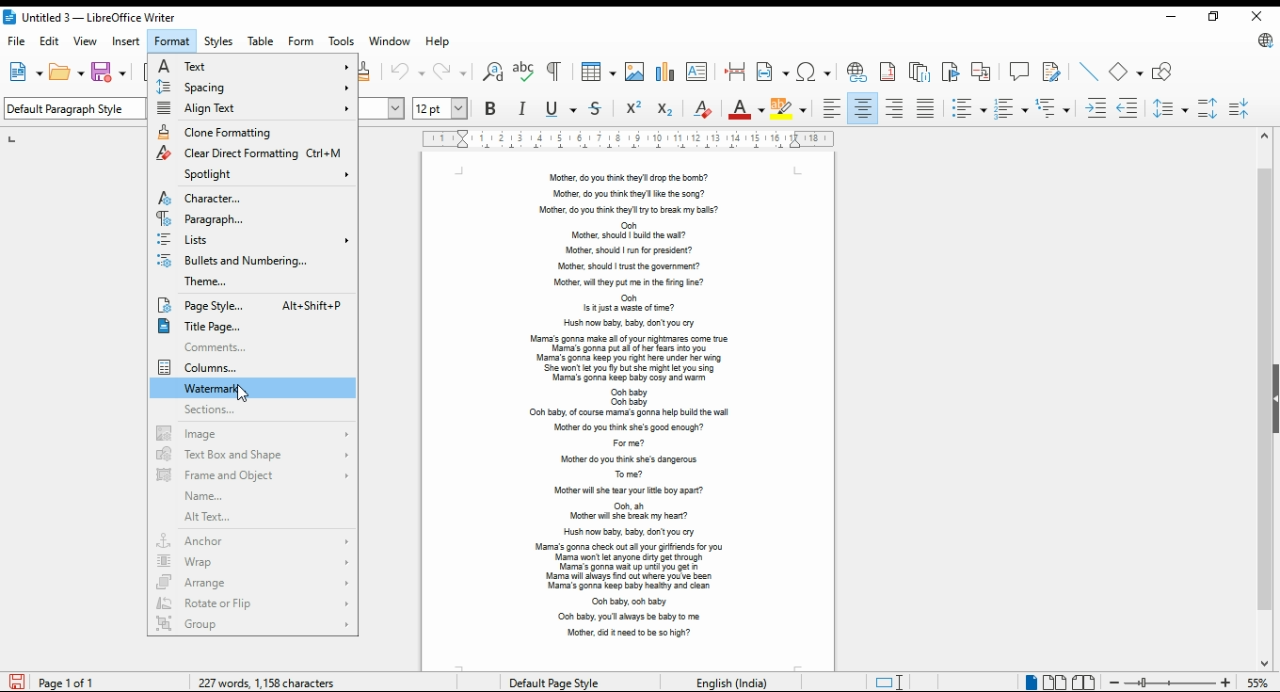 The image size is (1280, 692). I want to click on theme, so click(244, 281).